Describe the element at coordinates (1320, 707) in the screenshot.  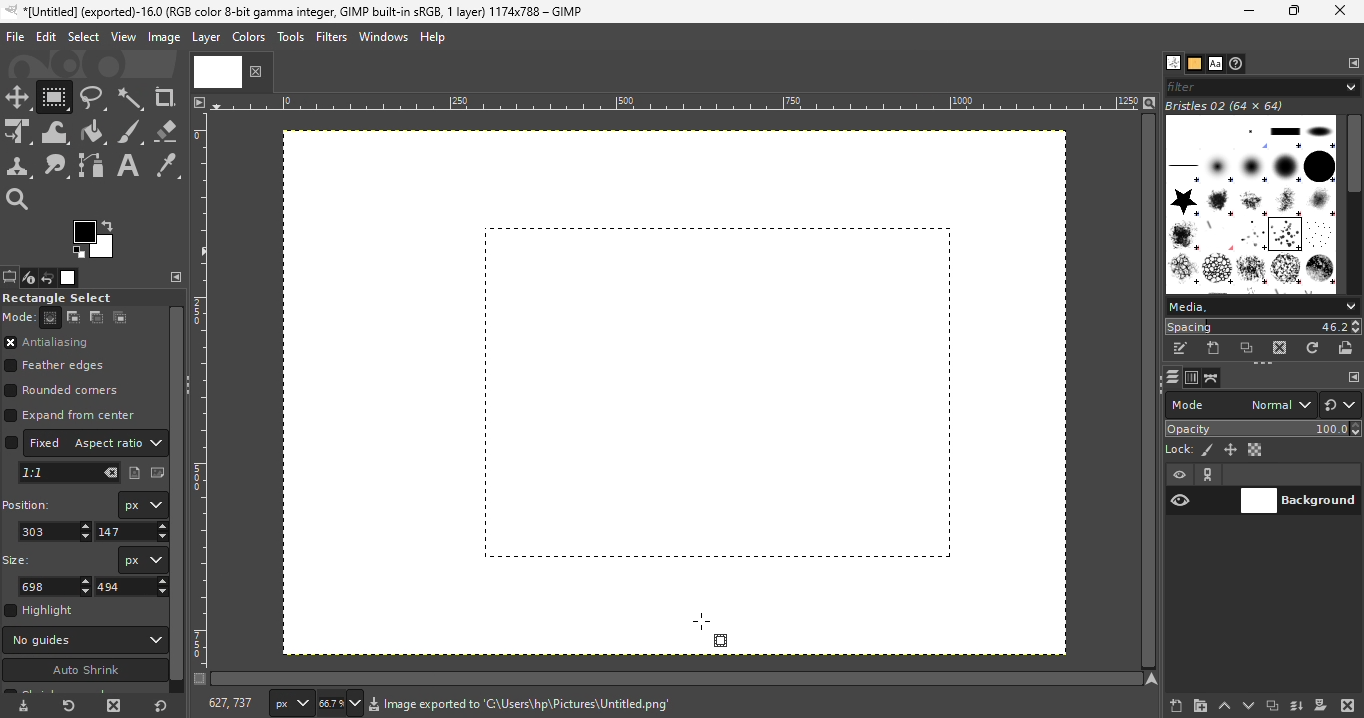
I see `Apply the effect of the layer mask and remove it` at that location.